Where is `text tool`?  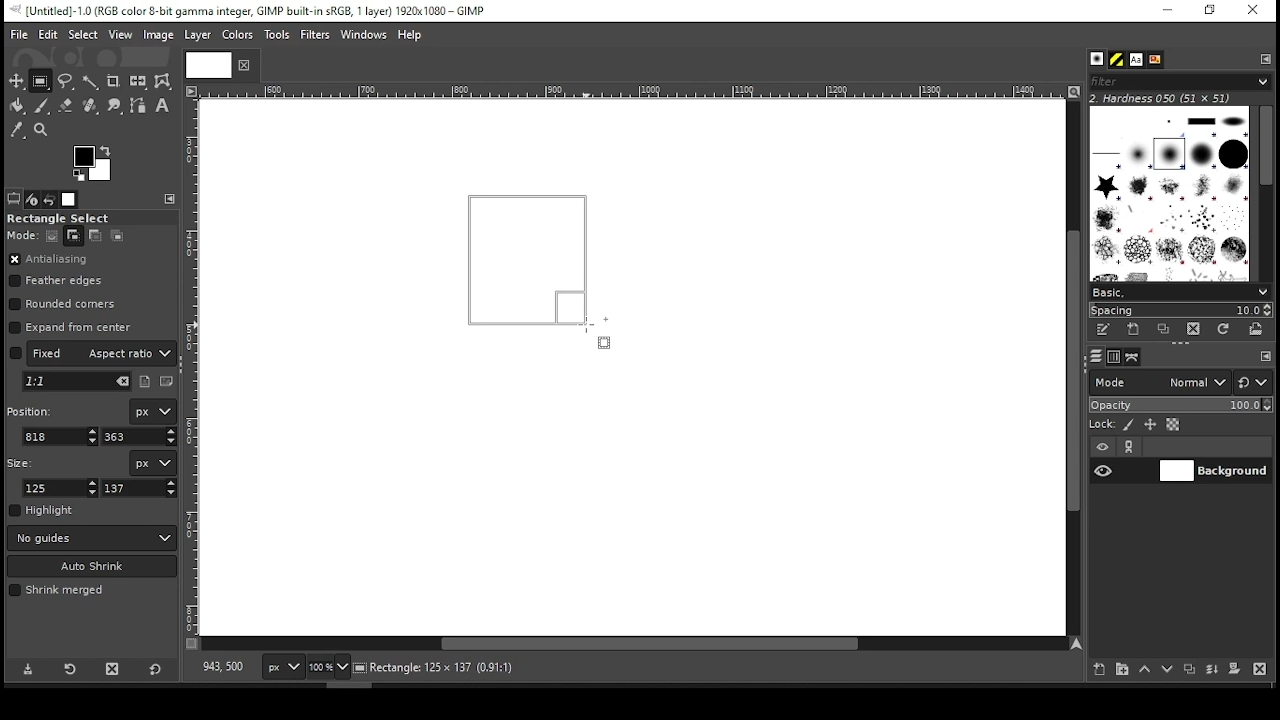
text tool is located at coordinates (162, 107).